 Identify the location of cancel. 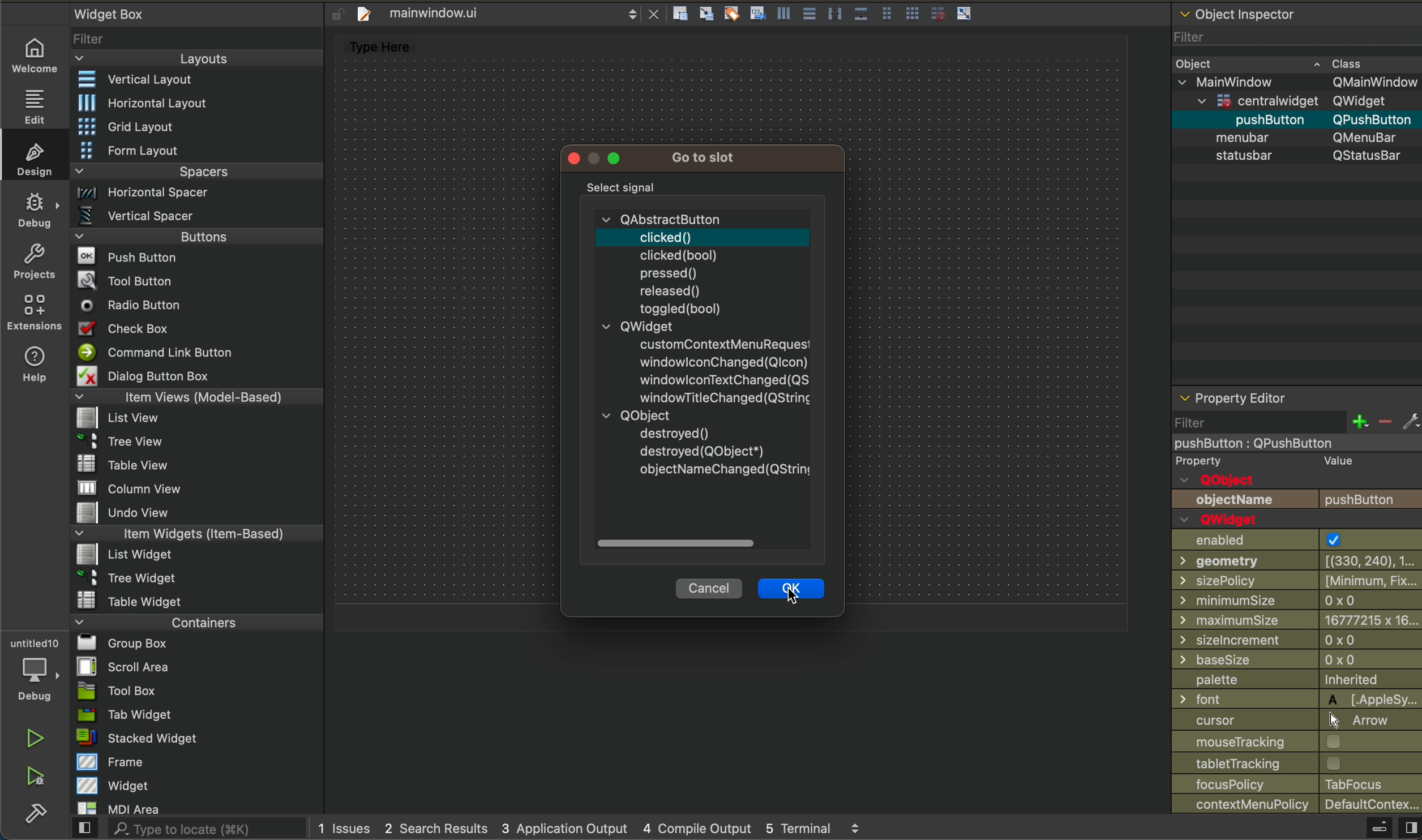
(710, 588).